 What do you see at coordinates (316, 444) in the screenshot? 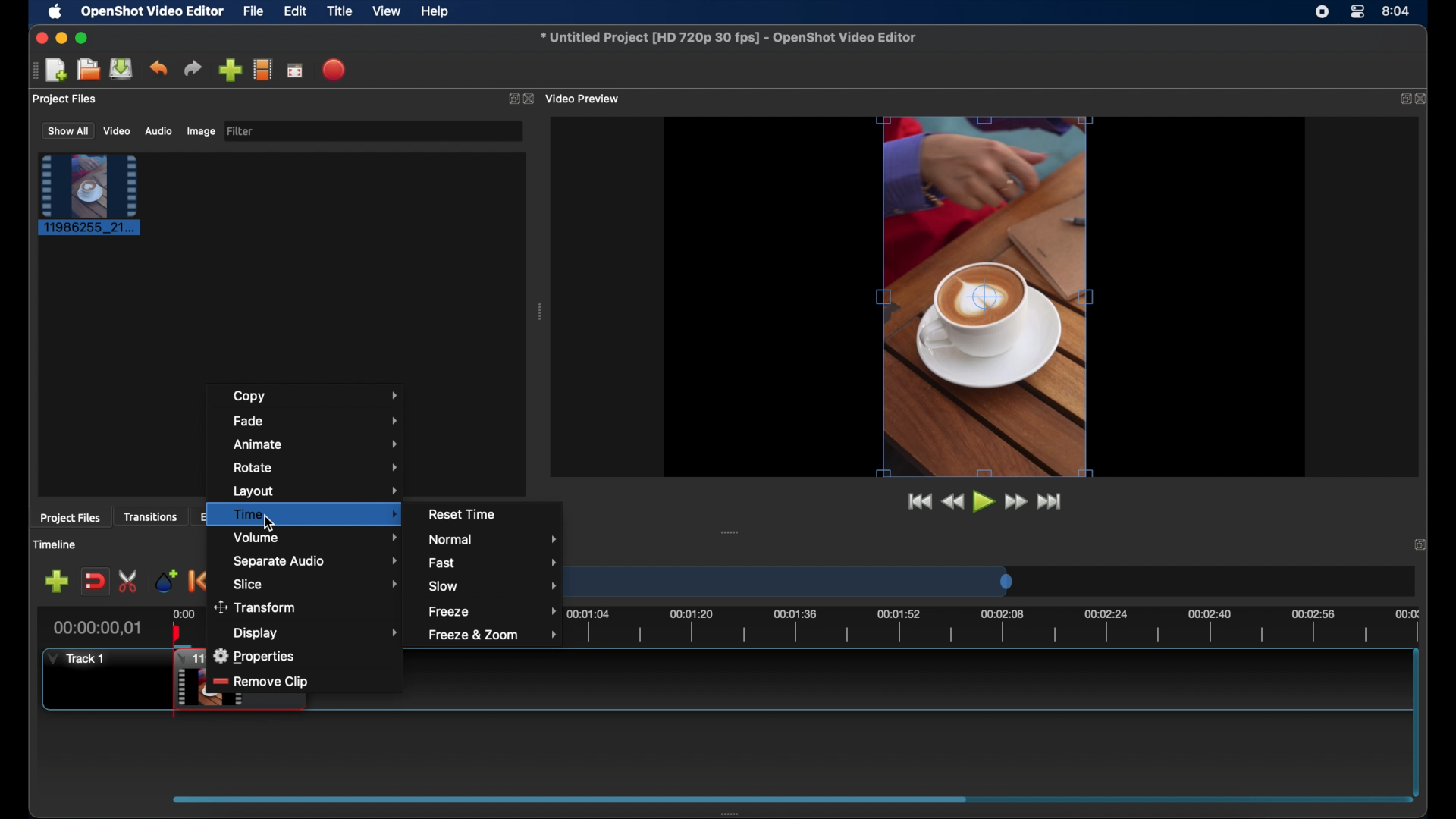
I see `animate menu` at bounding box center [316, 444].